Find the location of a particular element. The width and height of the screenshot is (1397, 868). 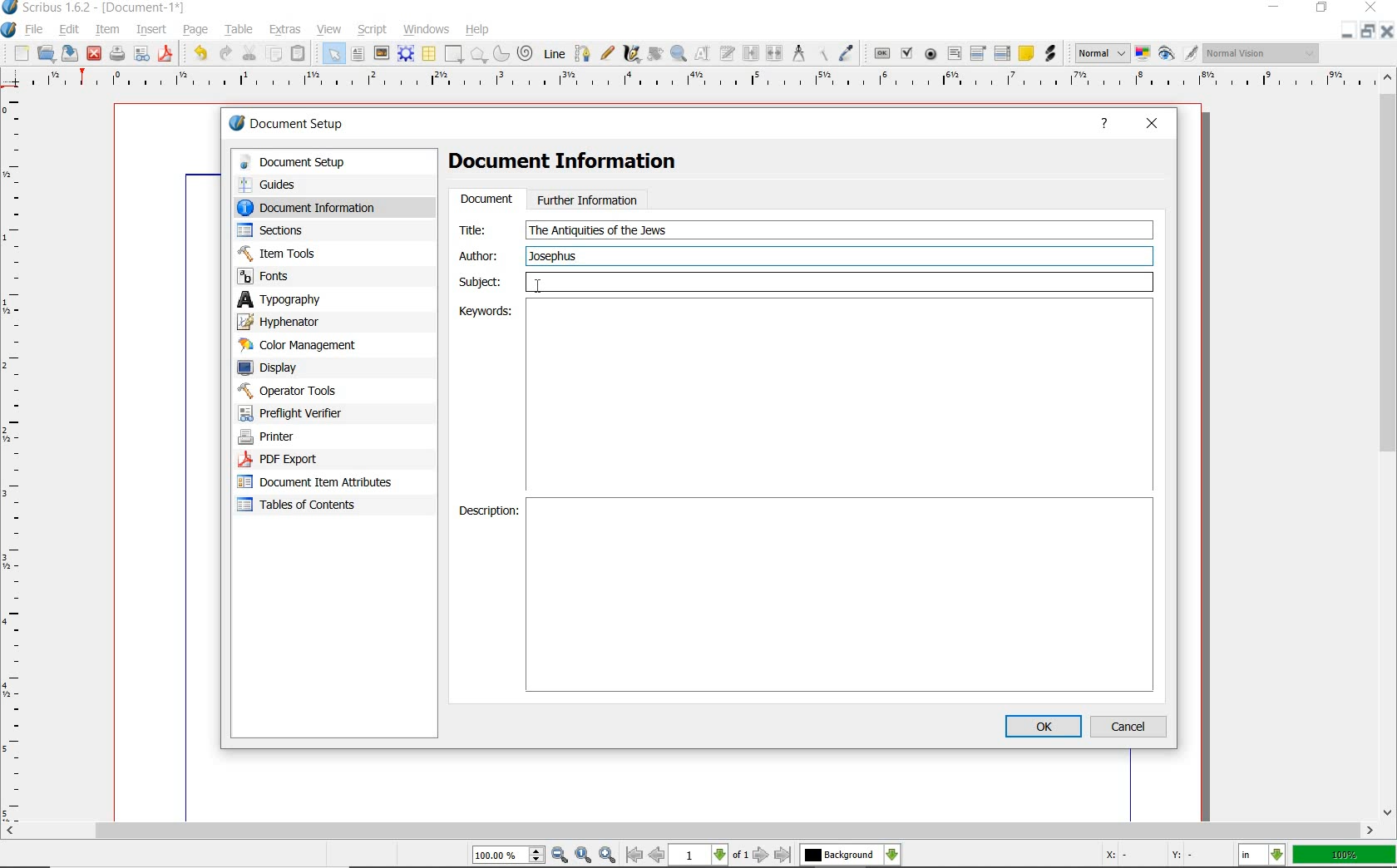

system name is located at coordinates (94, 8).